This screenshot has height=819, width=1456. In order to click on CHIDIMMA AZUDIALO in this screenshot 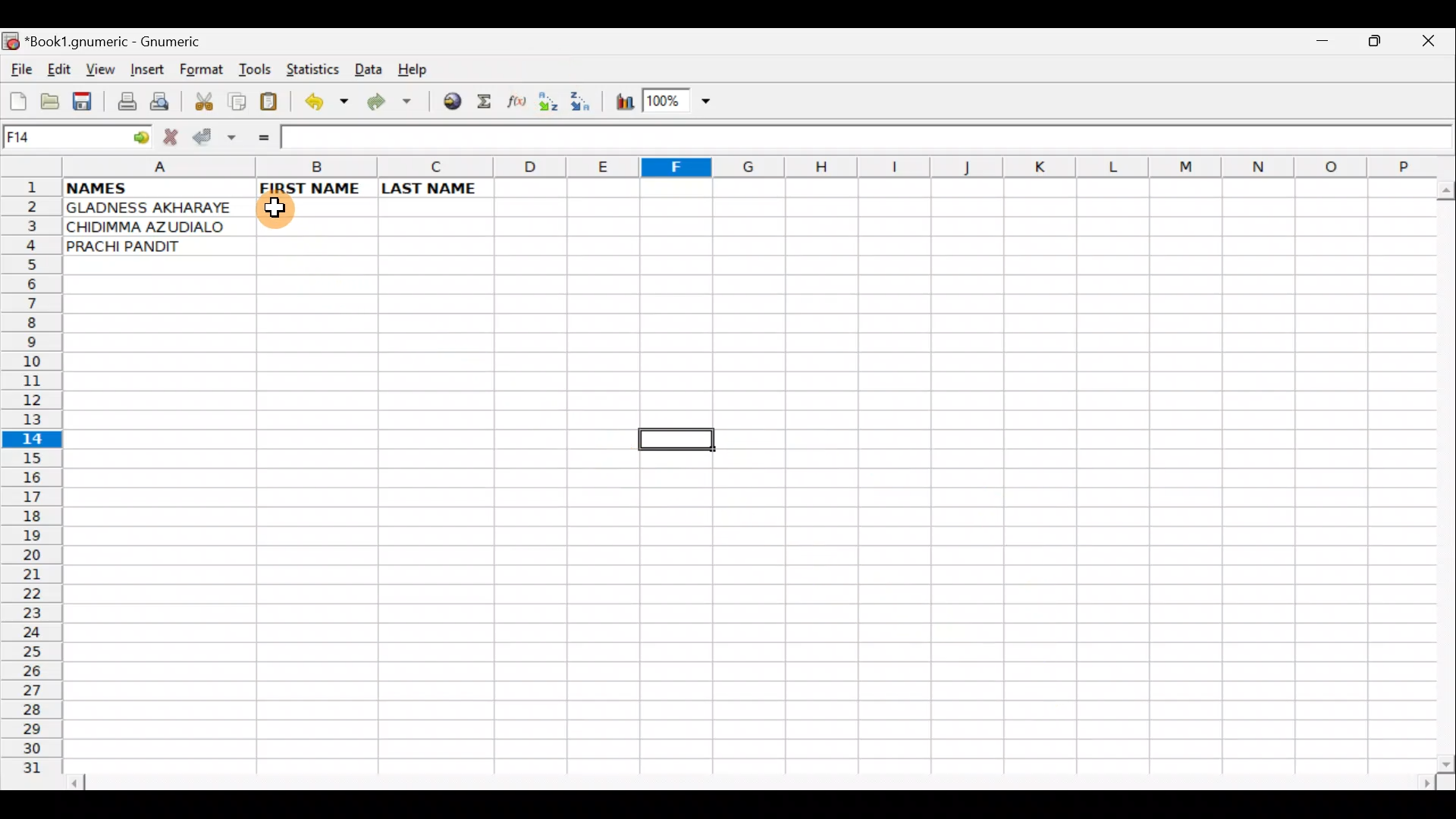, I will do `click(156, 227)`.